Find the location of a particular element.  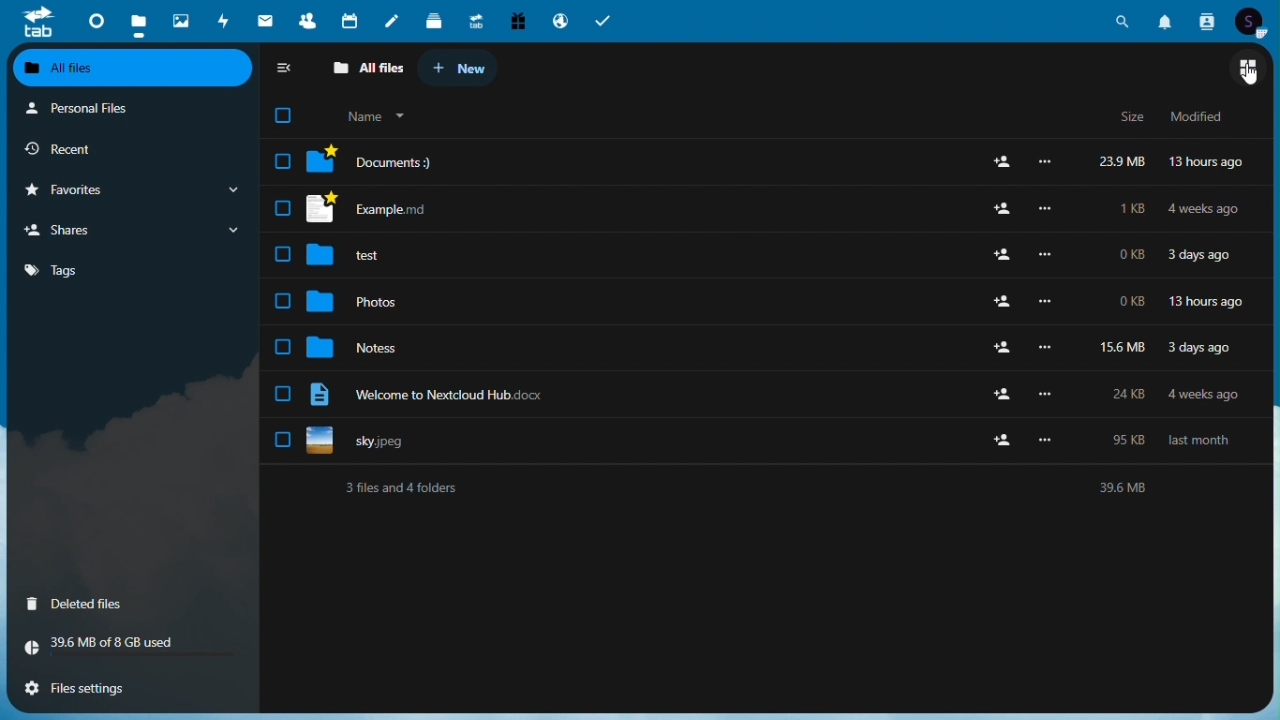

4 weeks ago is located at coordinates (1208, 210).